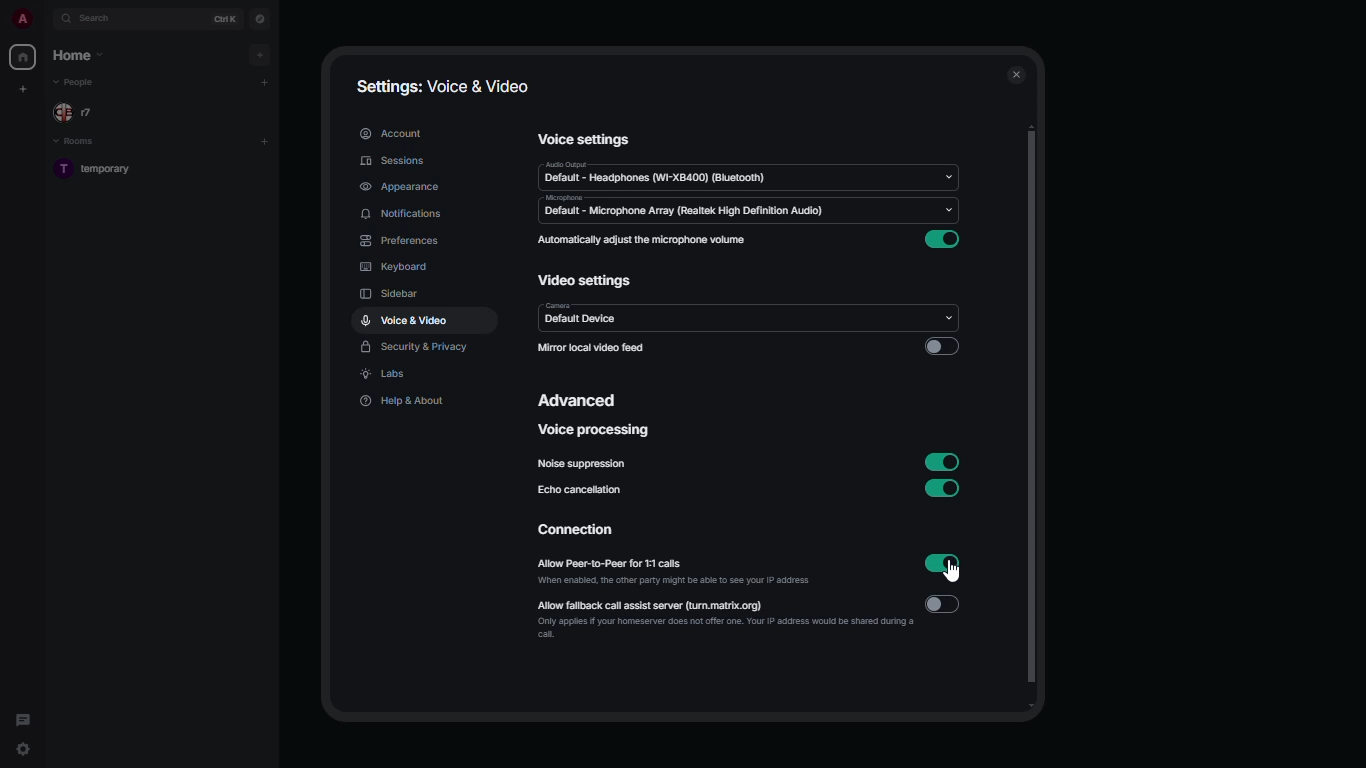 This screenshot has height=768, width=1366. What do you see at coordinates (943, 561) in the screenshot?
I see `enabled` at bounding box center [943, 561].